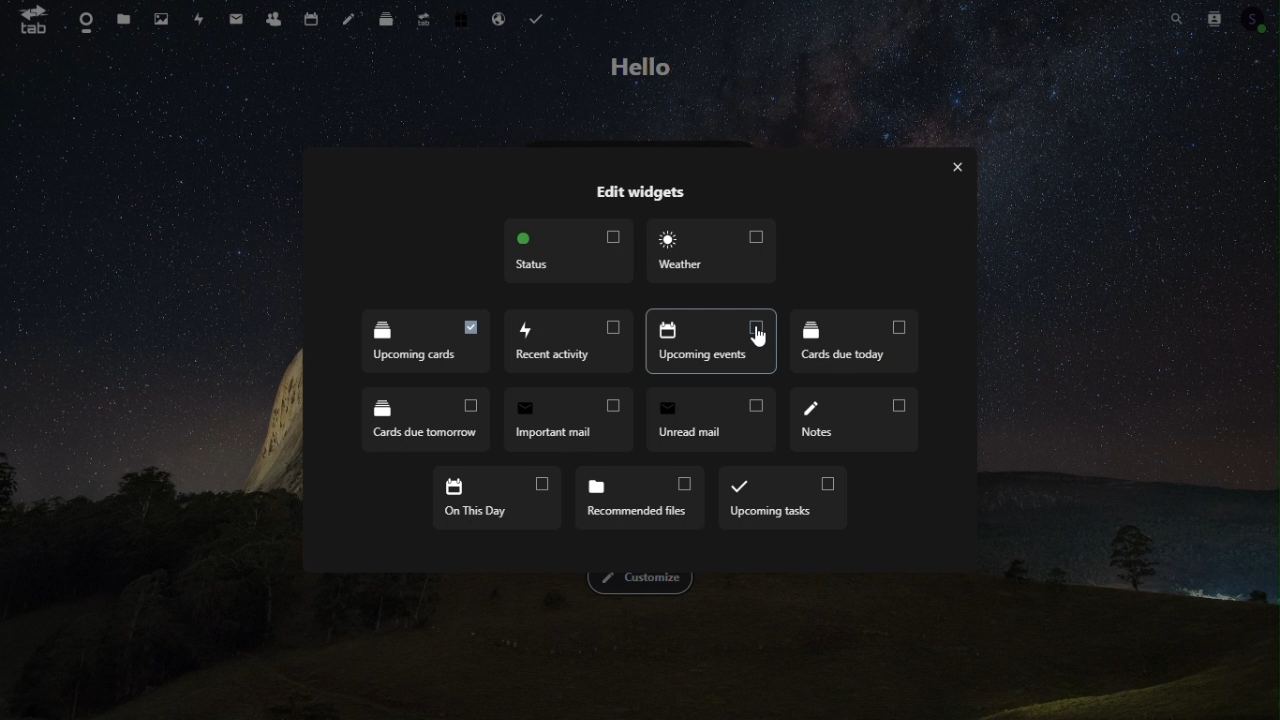  I want to click on Email hosting, so click(498, 15).